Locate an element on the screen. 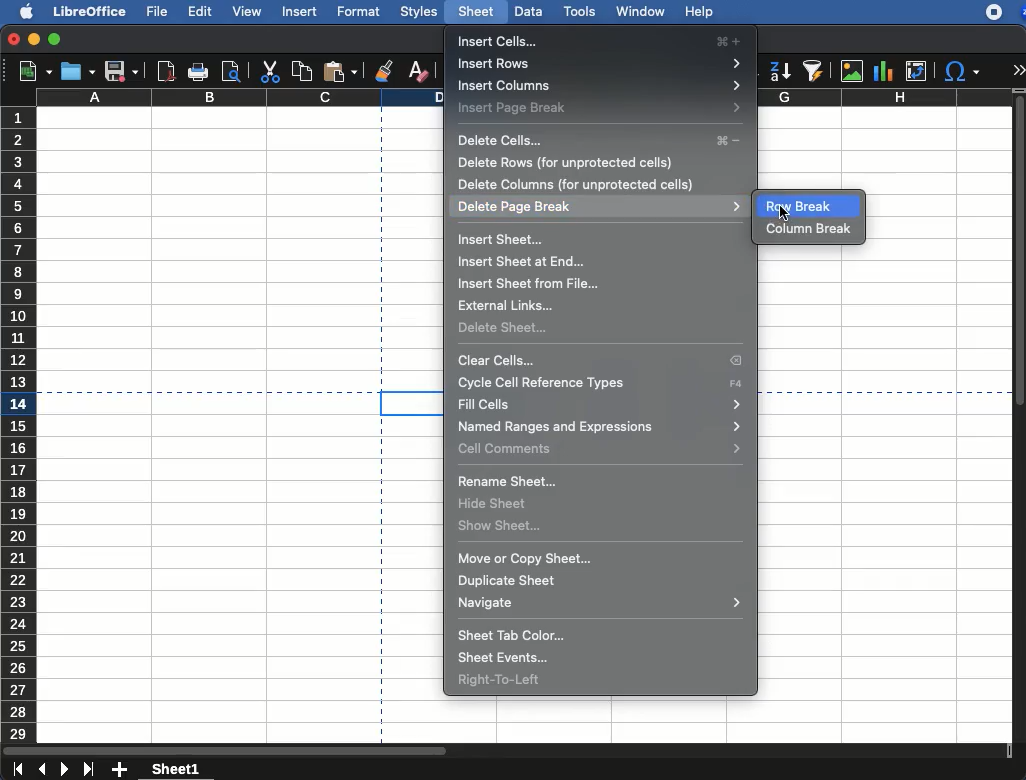  delete rows (for unprotected cells) is located at coordinates (566, 163).